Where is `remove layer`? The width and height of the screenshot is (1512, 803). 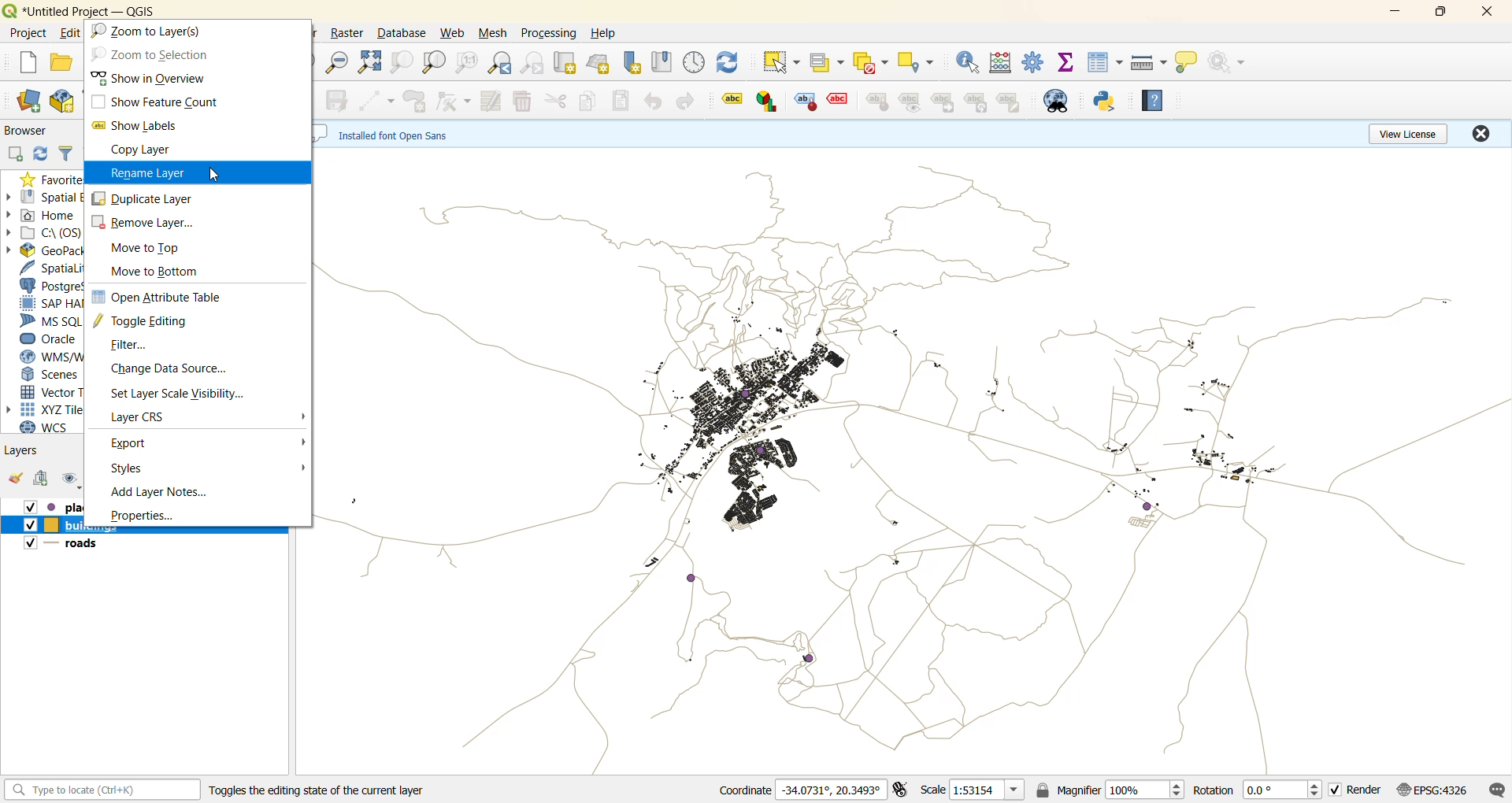 remove layer is located at coordinates (146, 221).